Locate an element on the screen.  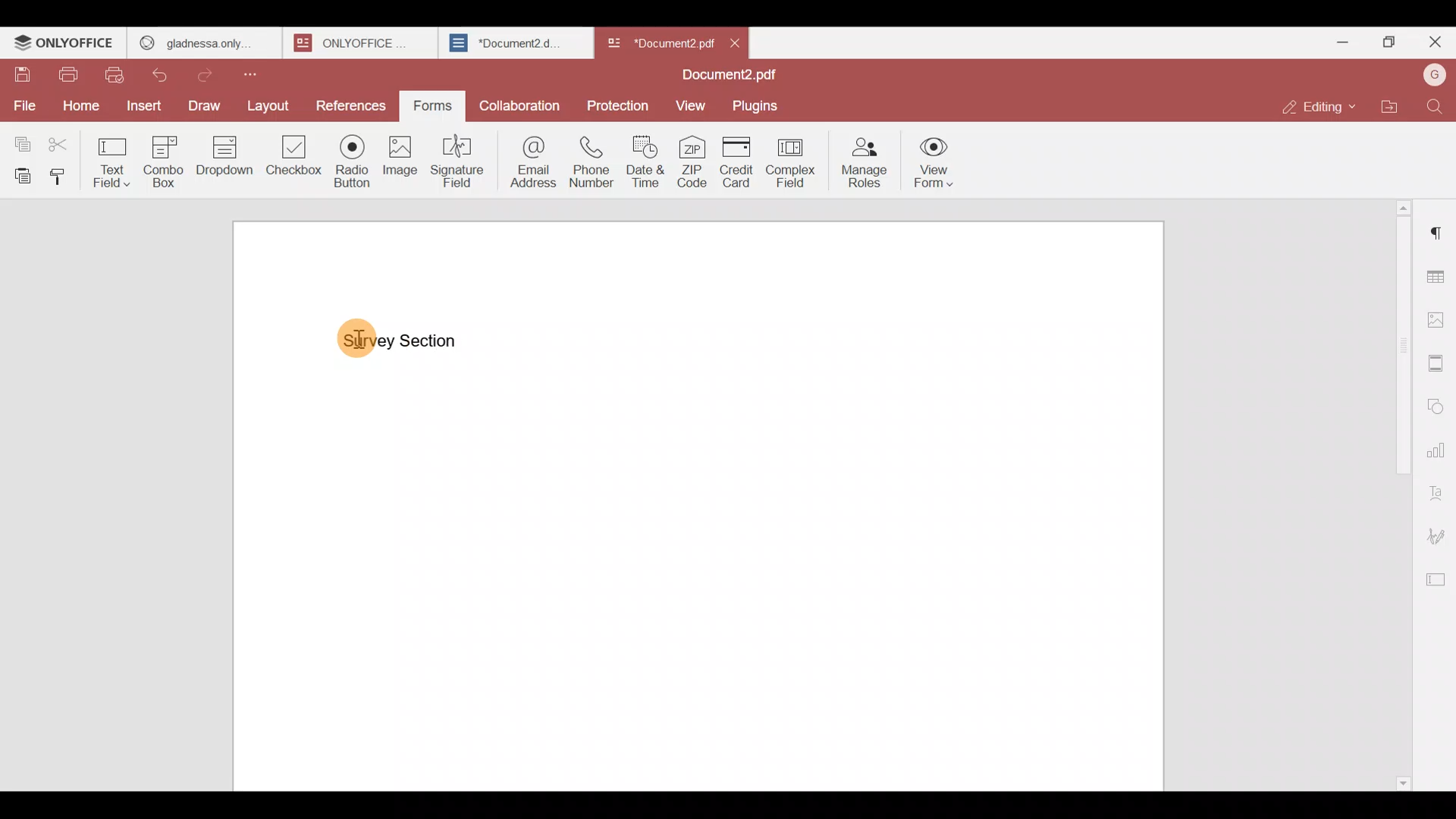
Shapes settings is located at coordinates (1439, 406).